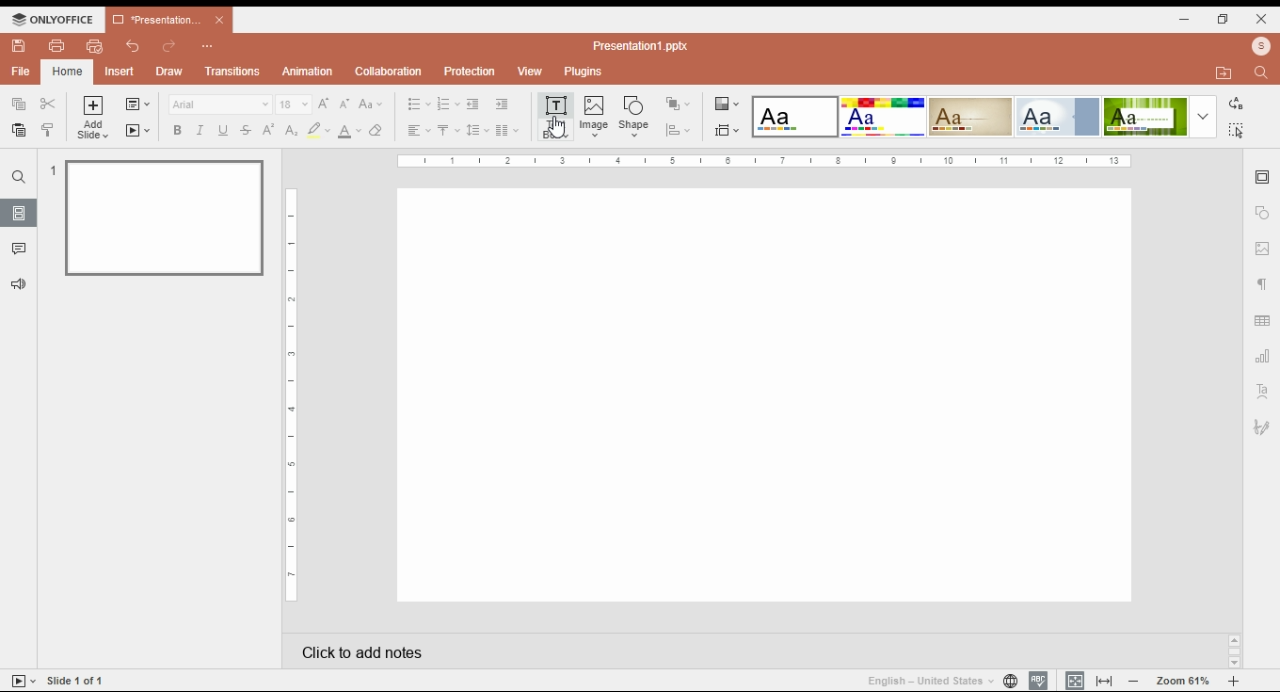 This screenshot has width=1280, height=692. I want to click on file, so click(20, 71).